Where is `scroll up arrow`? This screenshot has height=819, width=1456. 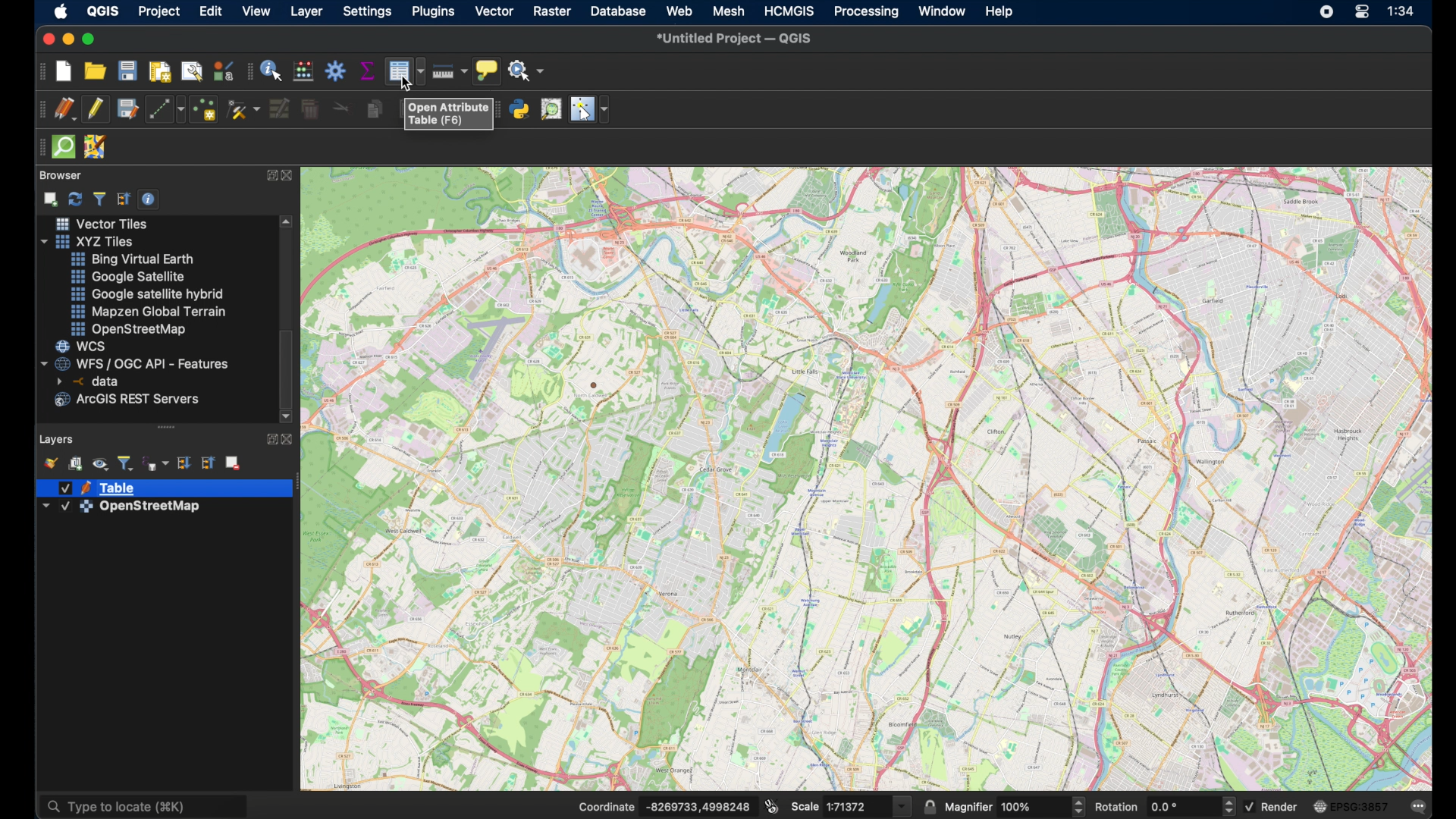 scroll up arrow is located at coordinates (286, 220).